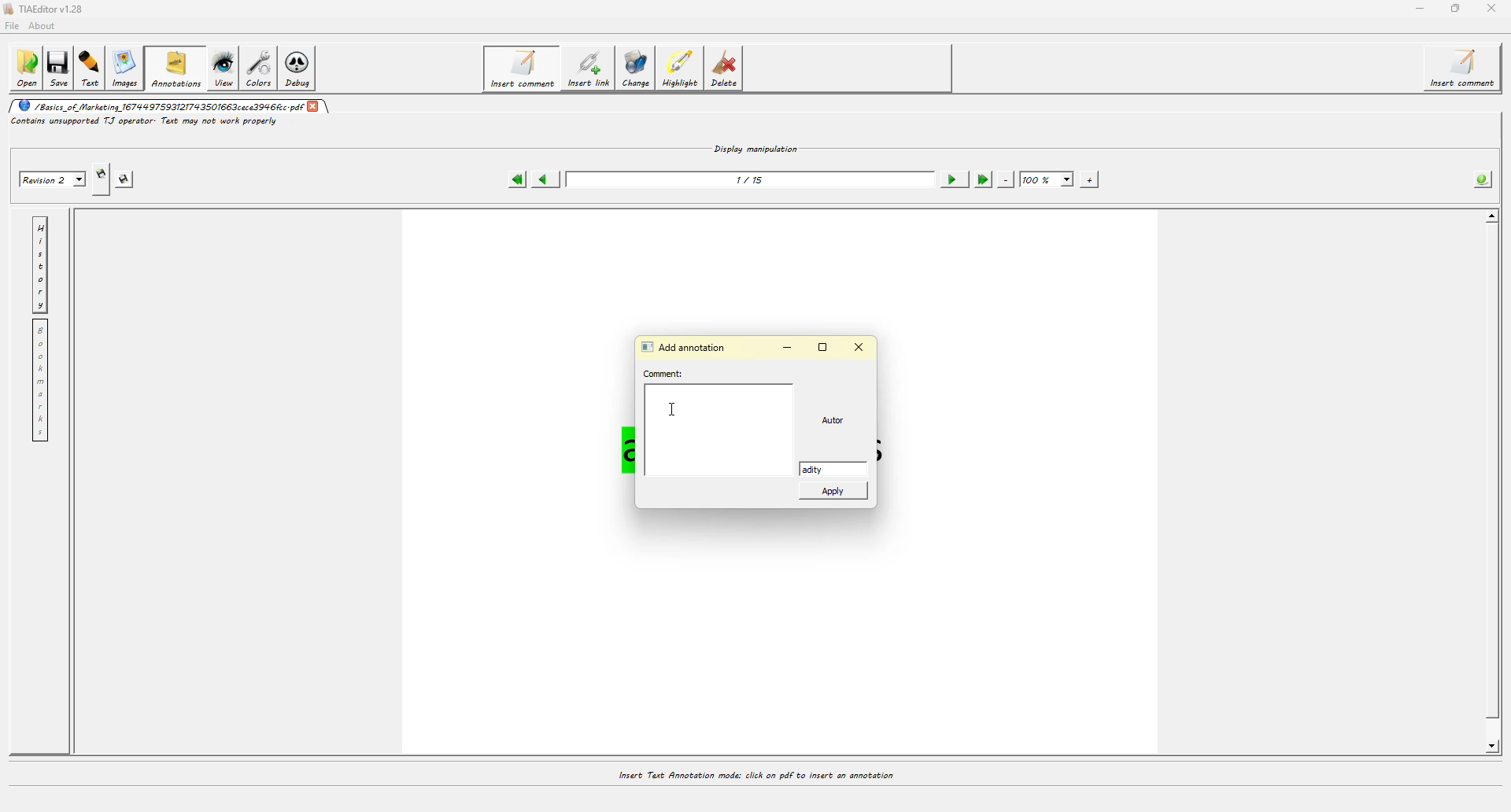 The height and width of the screenshot is (812, 1511). I want to click on display manipulation, so click(756, 147).